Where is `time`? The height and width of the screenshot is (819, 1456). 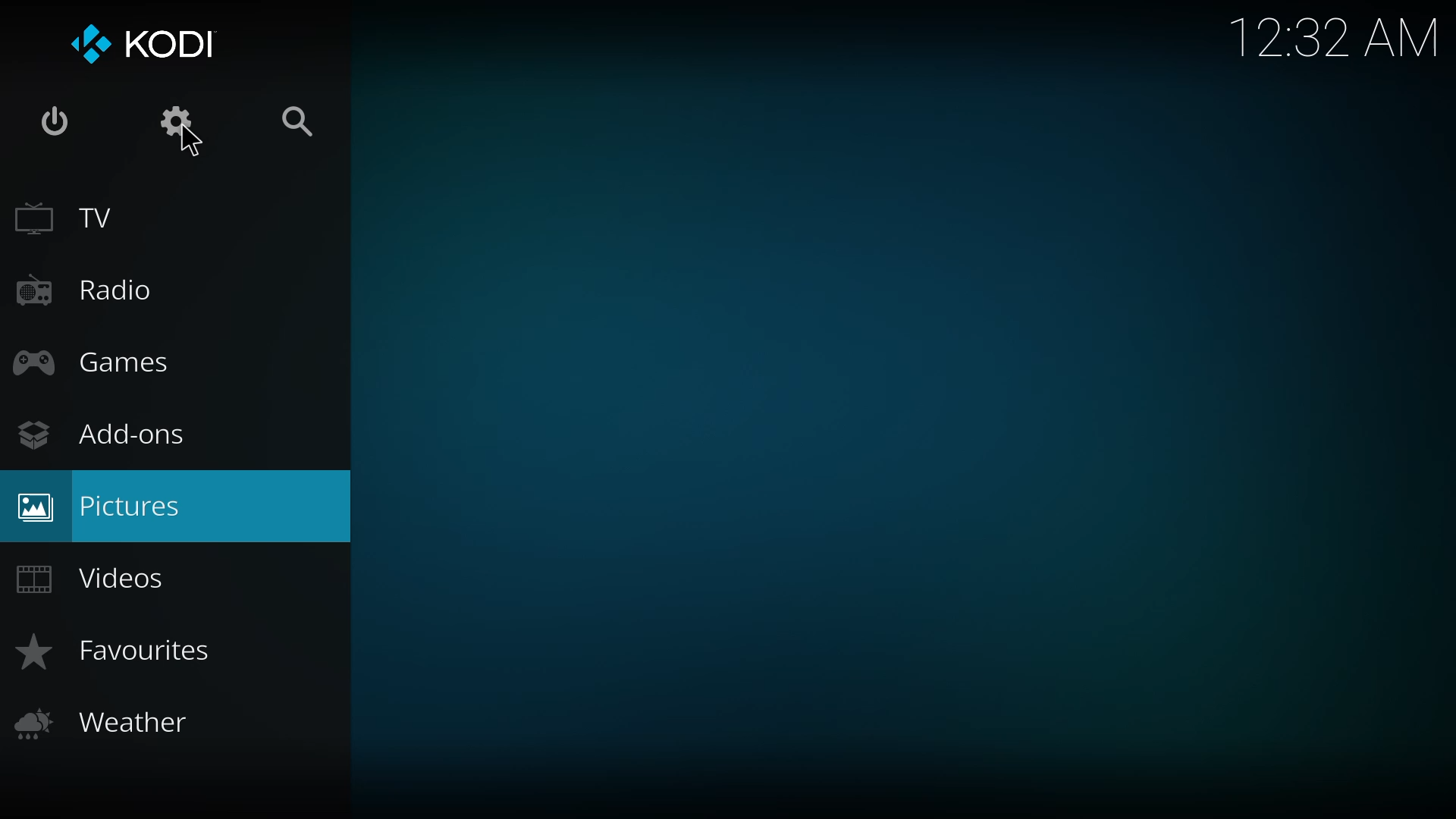
time is located at coordinates (1334, 35).